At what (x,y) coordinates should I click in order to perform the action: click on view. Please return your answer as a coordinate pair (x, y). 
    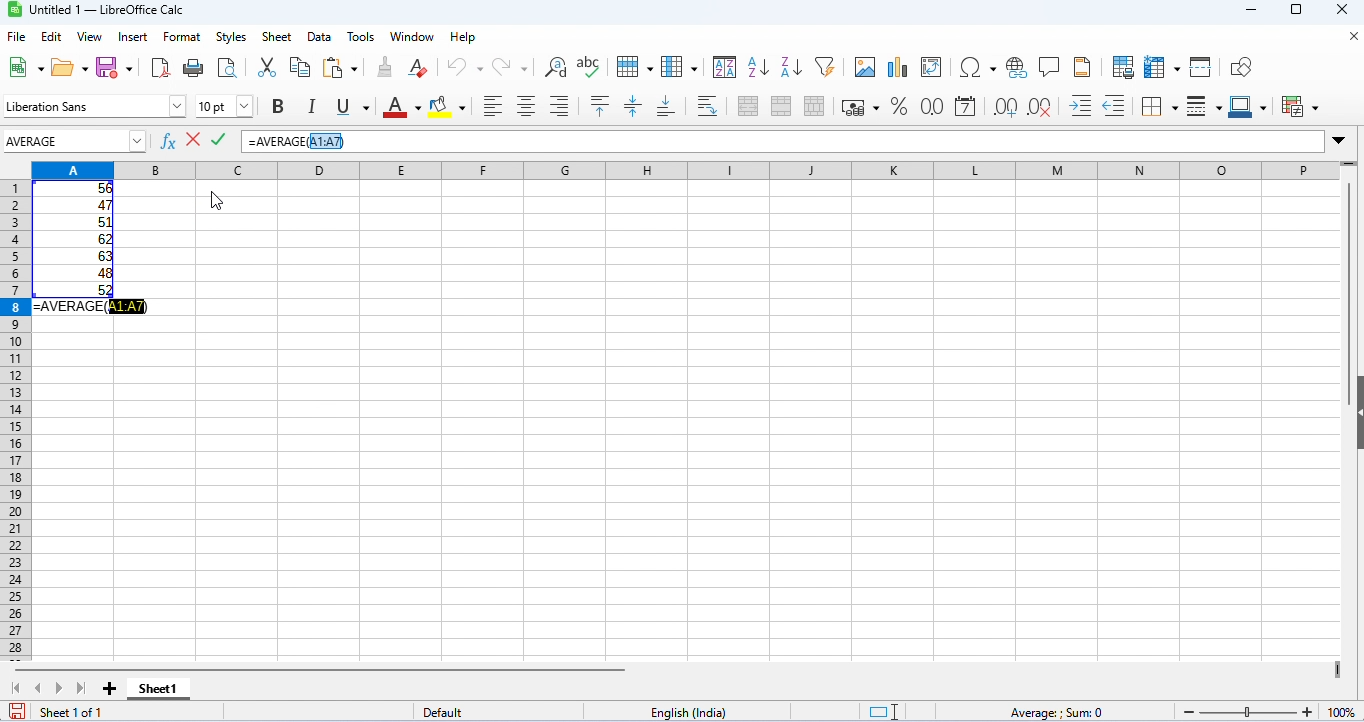
    Looking at the image, I should click on (90, 37).